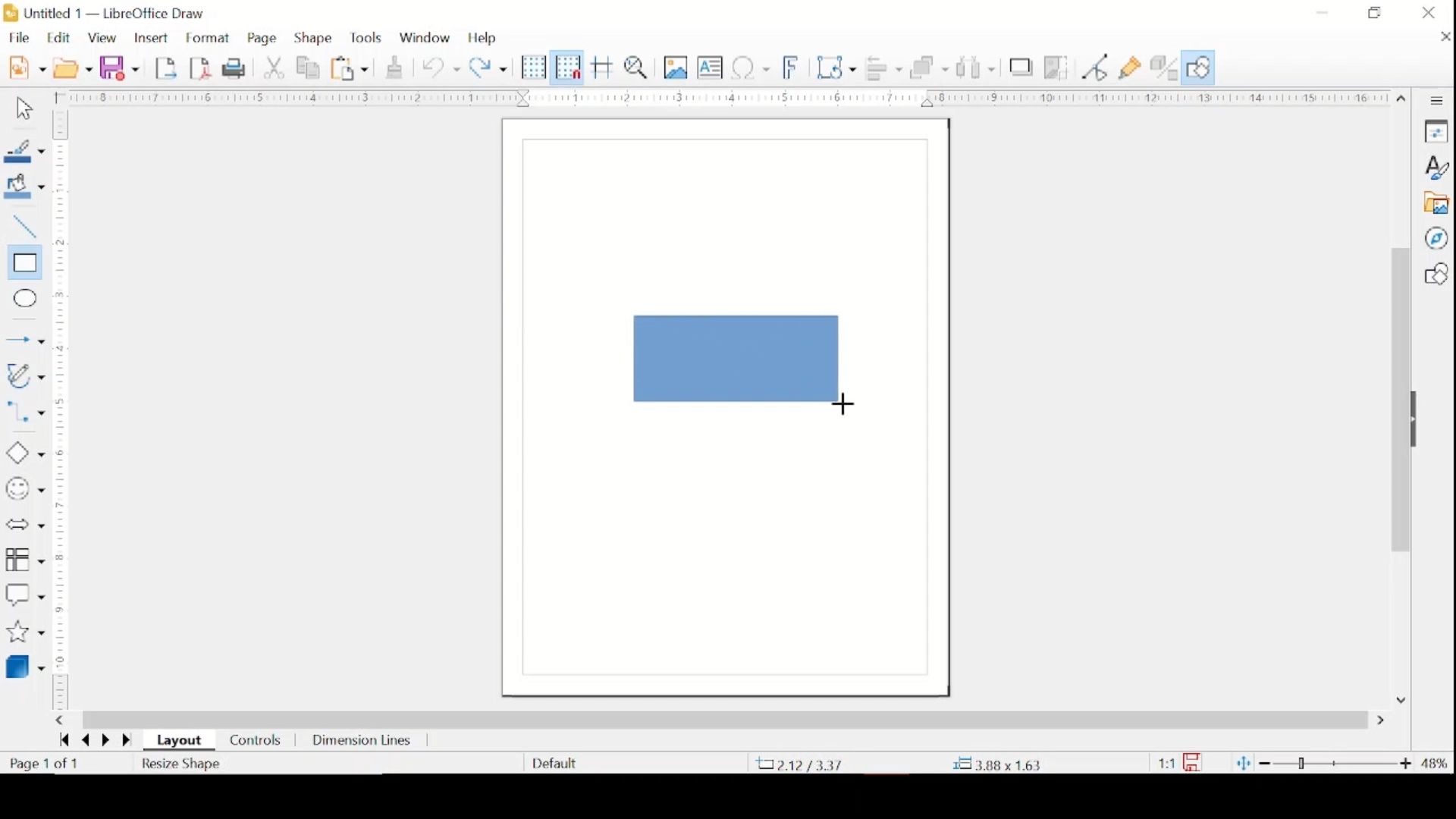 The image size is (1456, 819). What do you see at coordinates (1374, 12) in the screenshot?
I see `restore down` at bounding box center [1374, 12].